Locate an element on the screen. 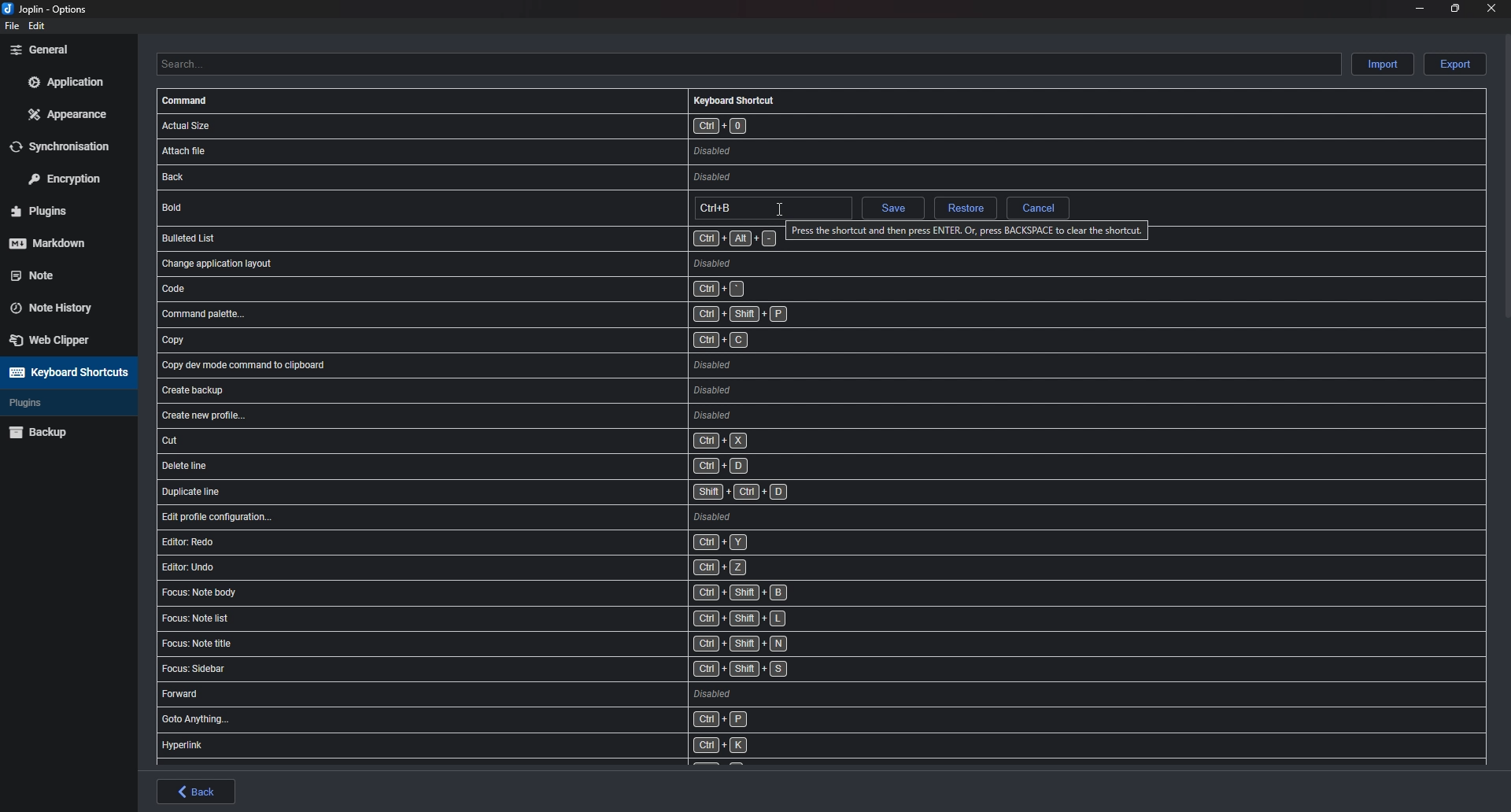  shortcut is located at coordinates (535, 315).